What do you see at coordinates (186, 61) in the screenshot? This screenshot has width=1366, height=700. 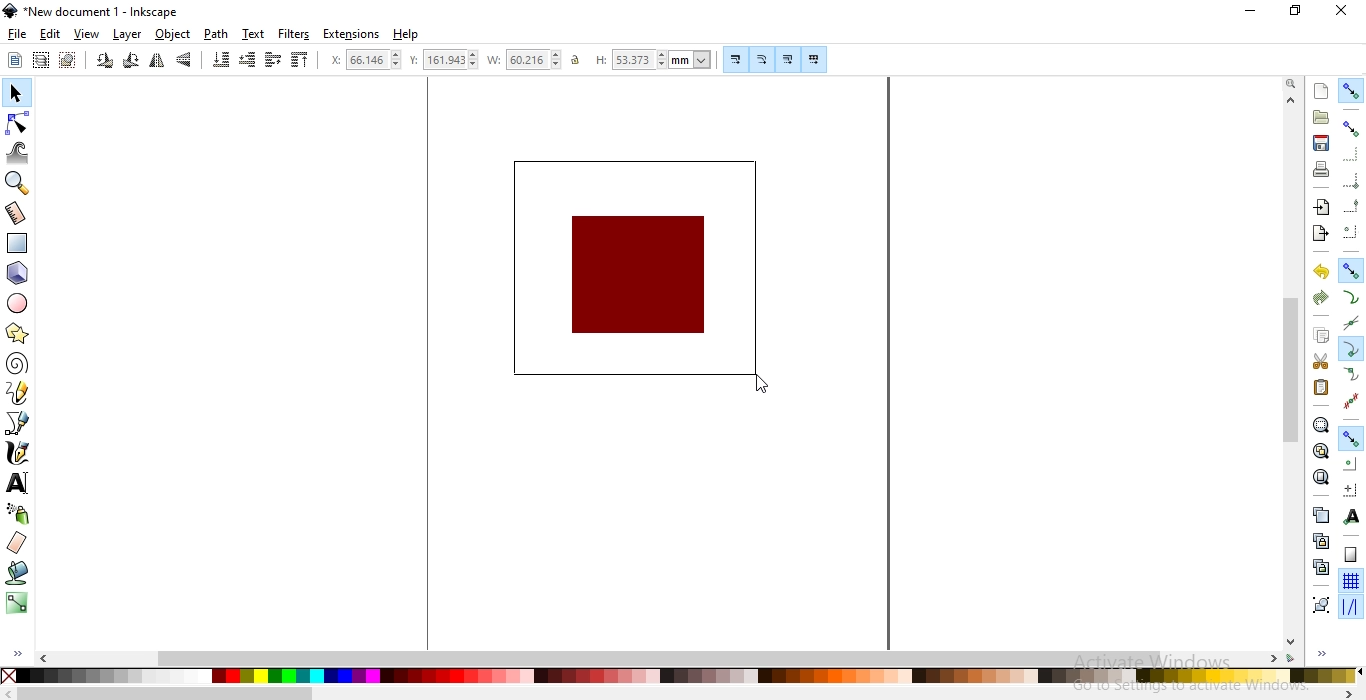 I see `flip vertically` at bounding box center [186, 61].